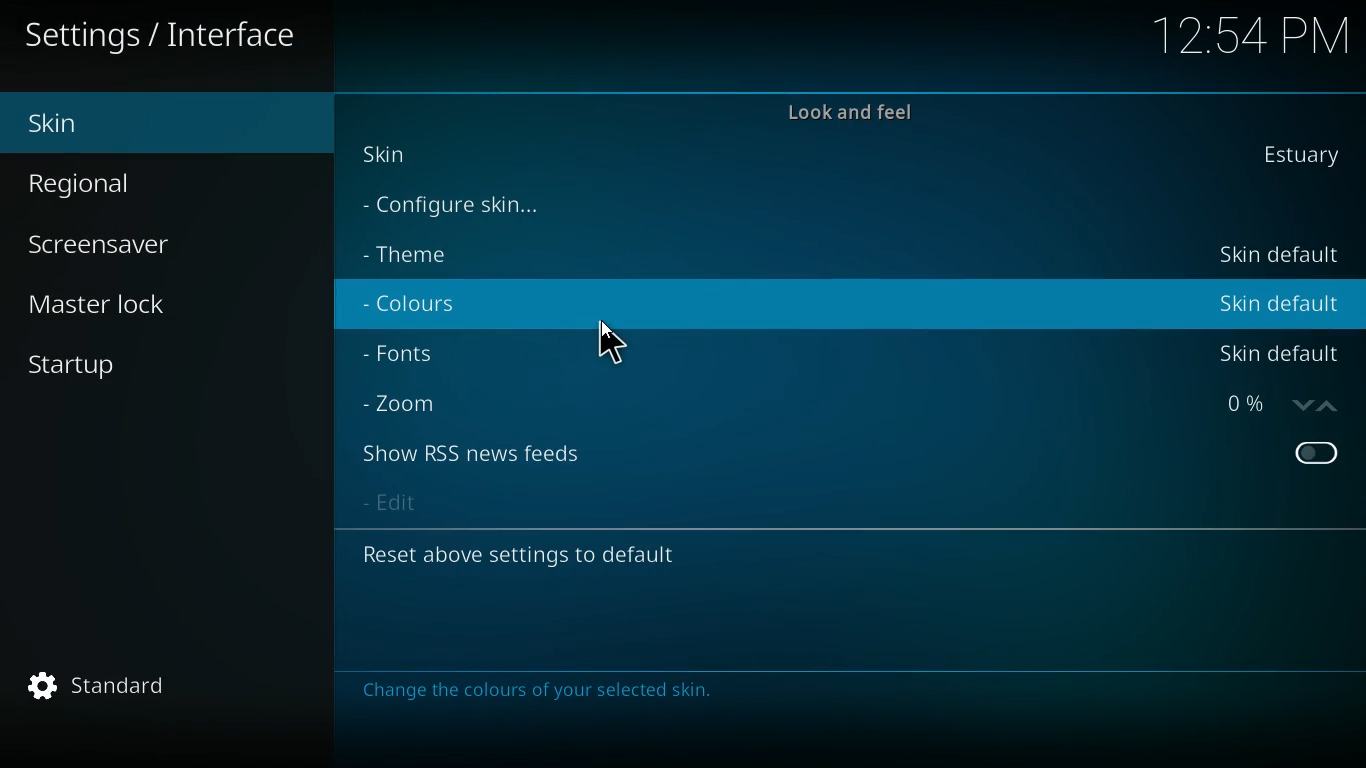  What do you see at coordinates (1279, 407) in the screenshot?
I see `zoom` at bounding box center [1279, 407].